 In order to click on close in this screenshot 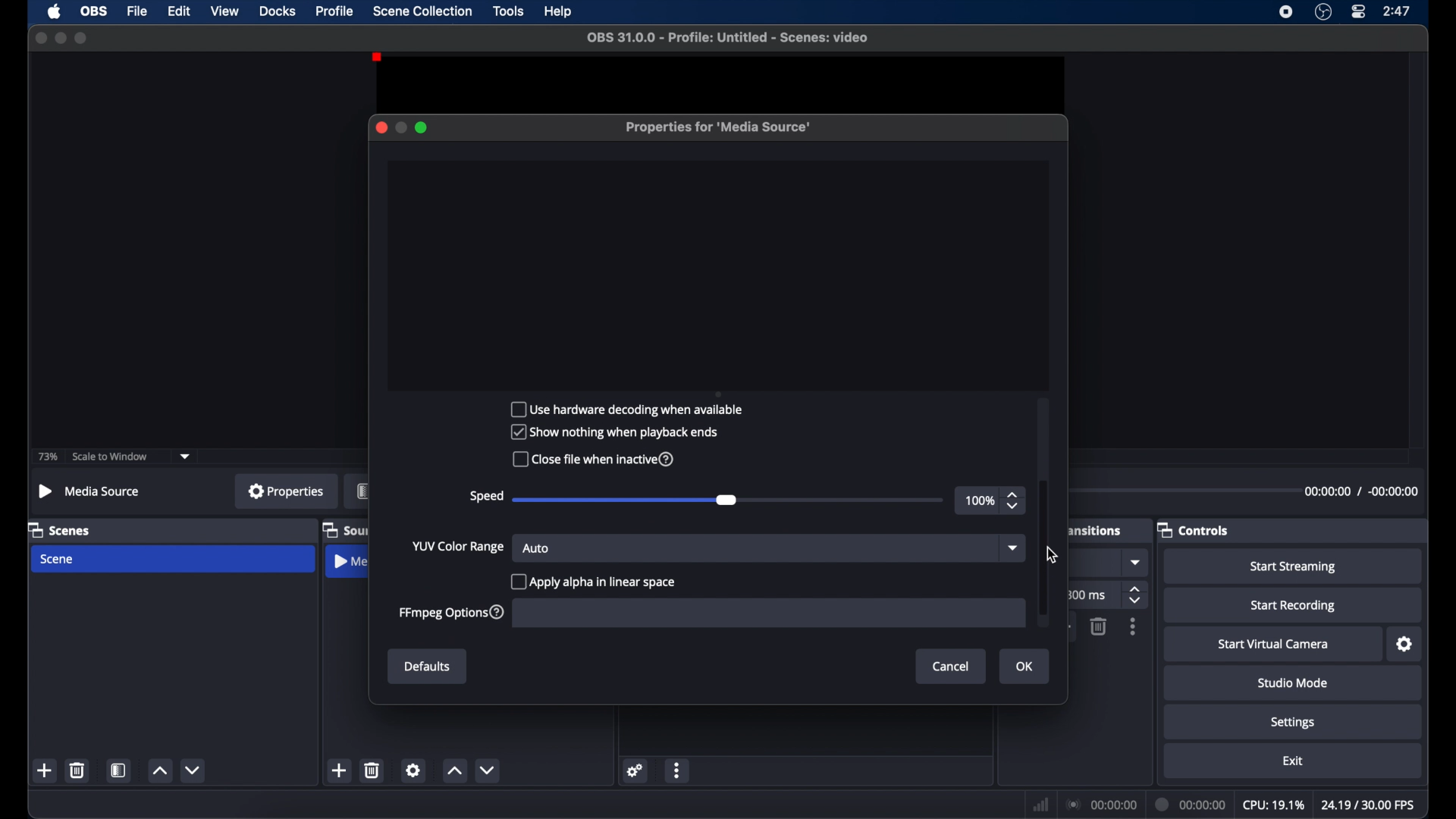, I will do `click(40, 37)`.